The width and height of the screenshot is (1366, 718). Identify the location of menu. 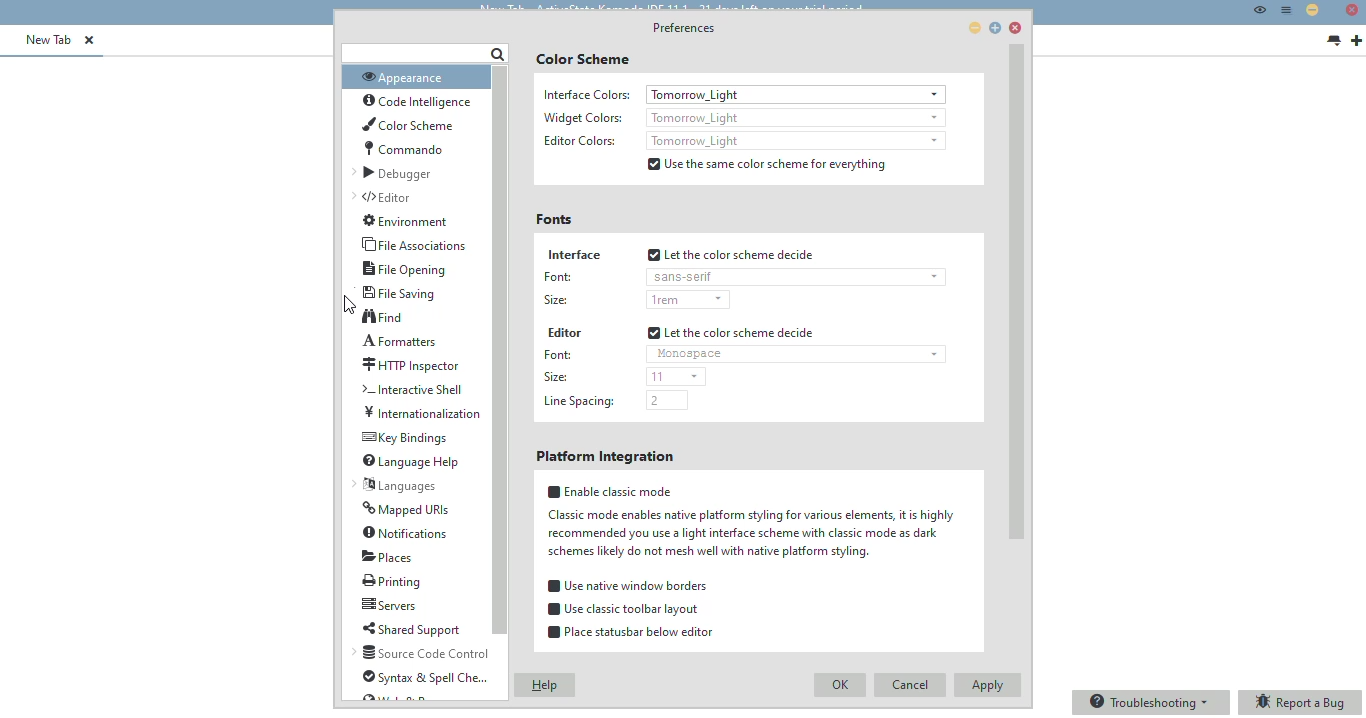
(1287, 10).